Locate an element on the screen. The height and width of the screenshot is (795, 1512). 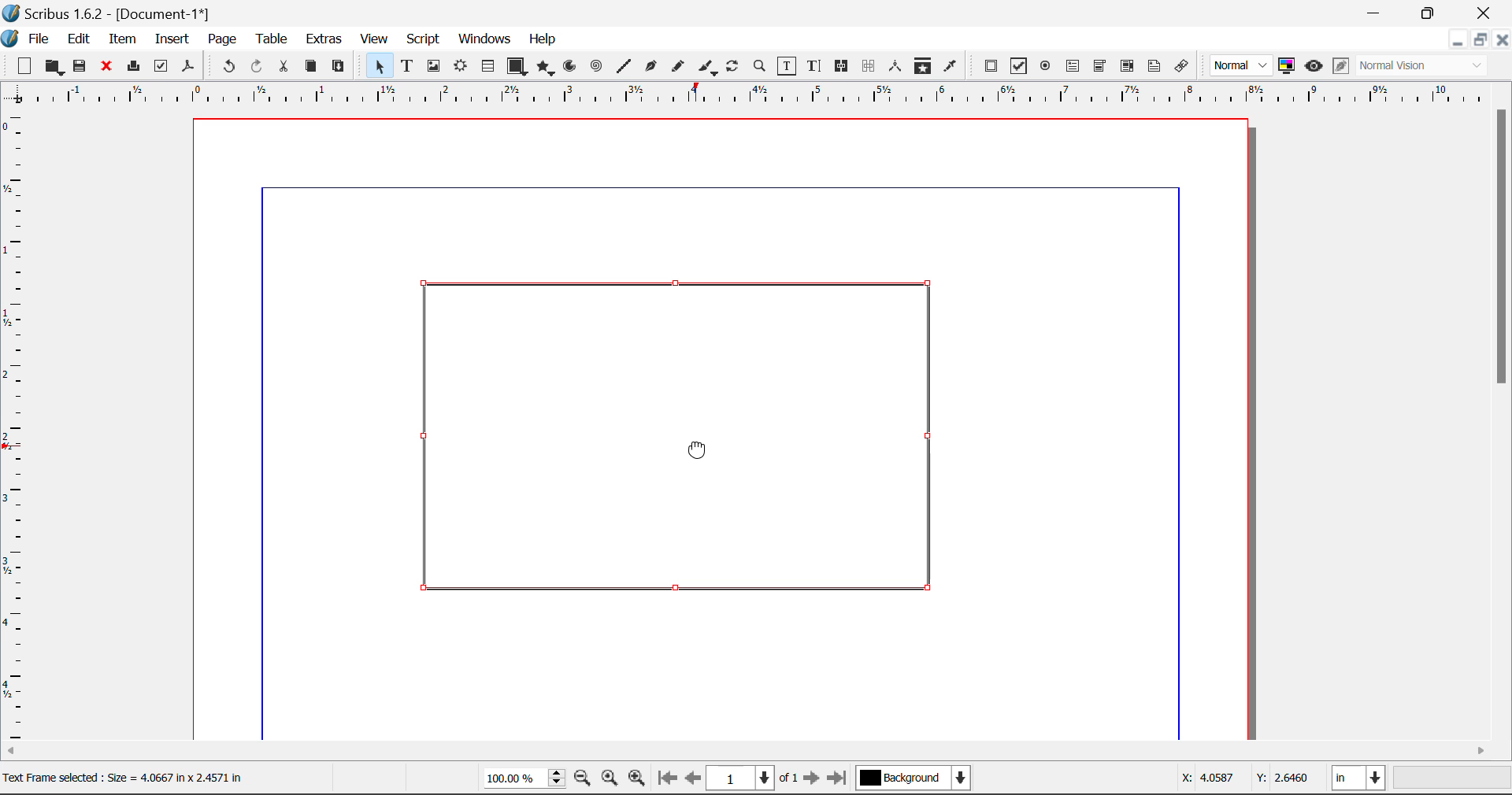
Eyedropper is located at coordinates (951, 65).